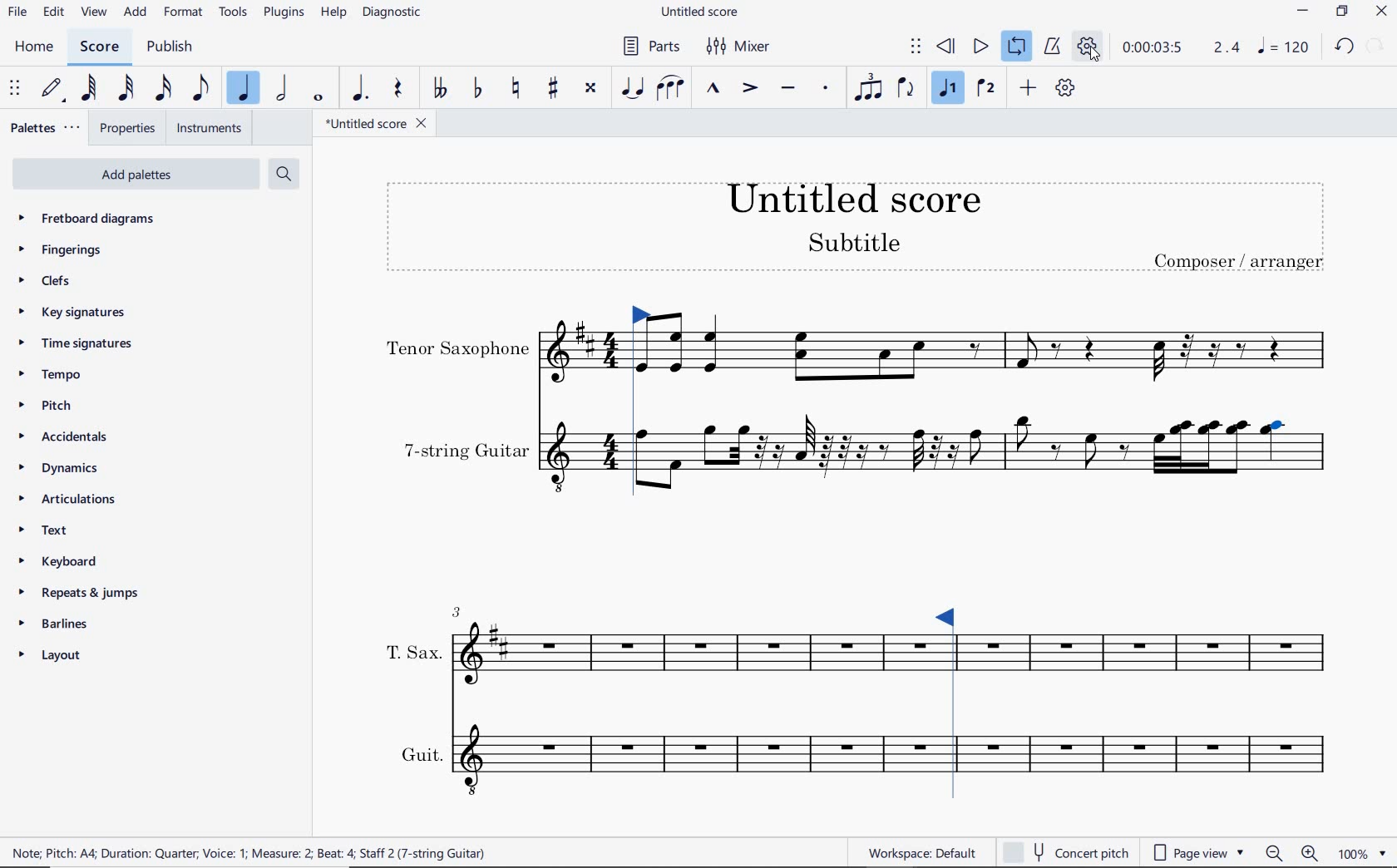 Image resolution: width=1397 pixels, height=868 pixels. What do you see at coordinates (1284, 47) in the screenshot?
I see `NOTE` at bounding box center [1284, 47].